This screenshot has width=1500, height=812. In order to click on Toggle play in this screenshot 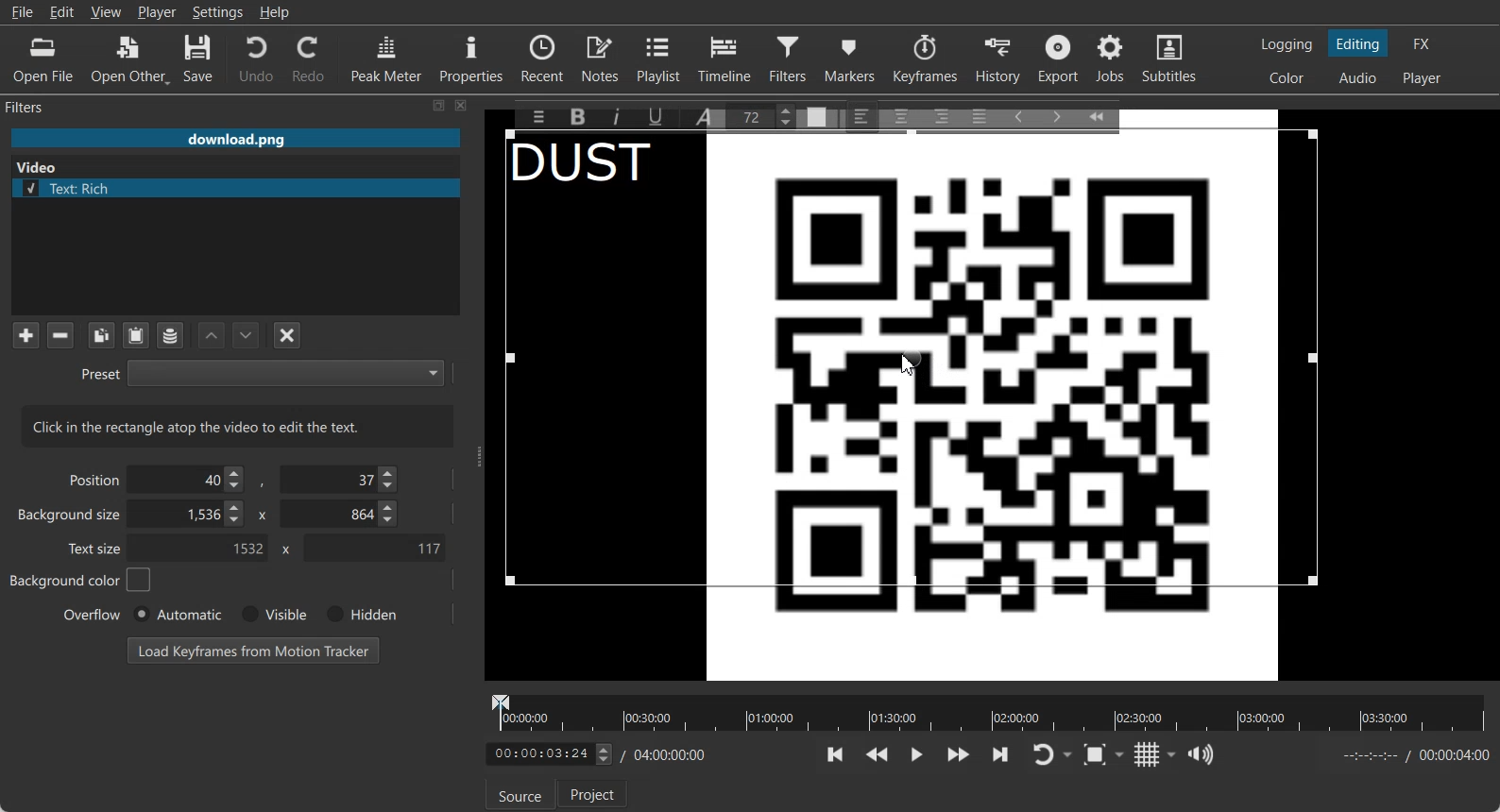, I will do `click(917, 754)`.